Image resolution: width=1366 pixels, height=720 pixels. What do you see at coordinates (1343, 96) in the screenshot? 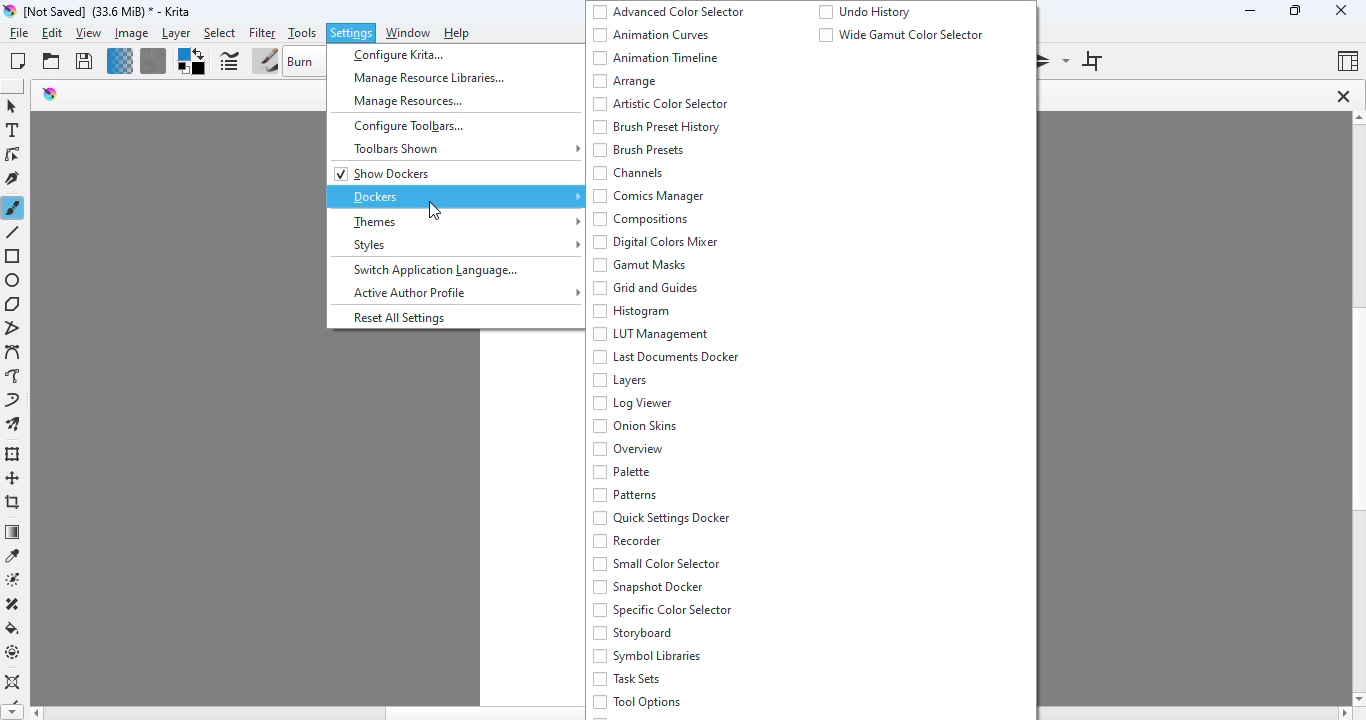
I see `close tab` at bounding box center [1343, 96].